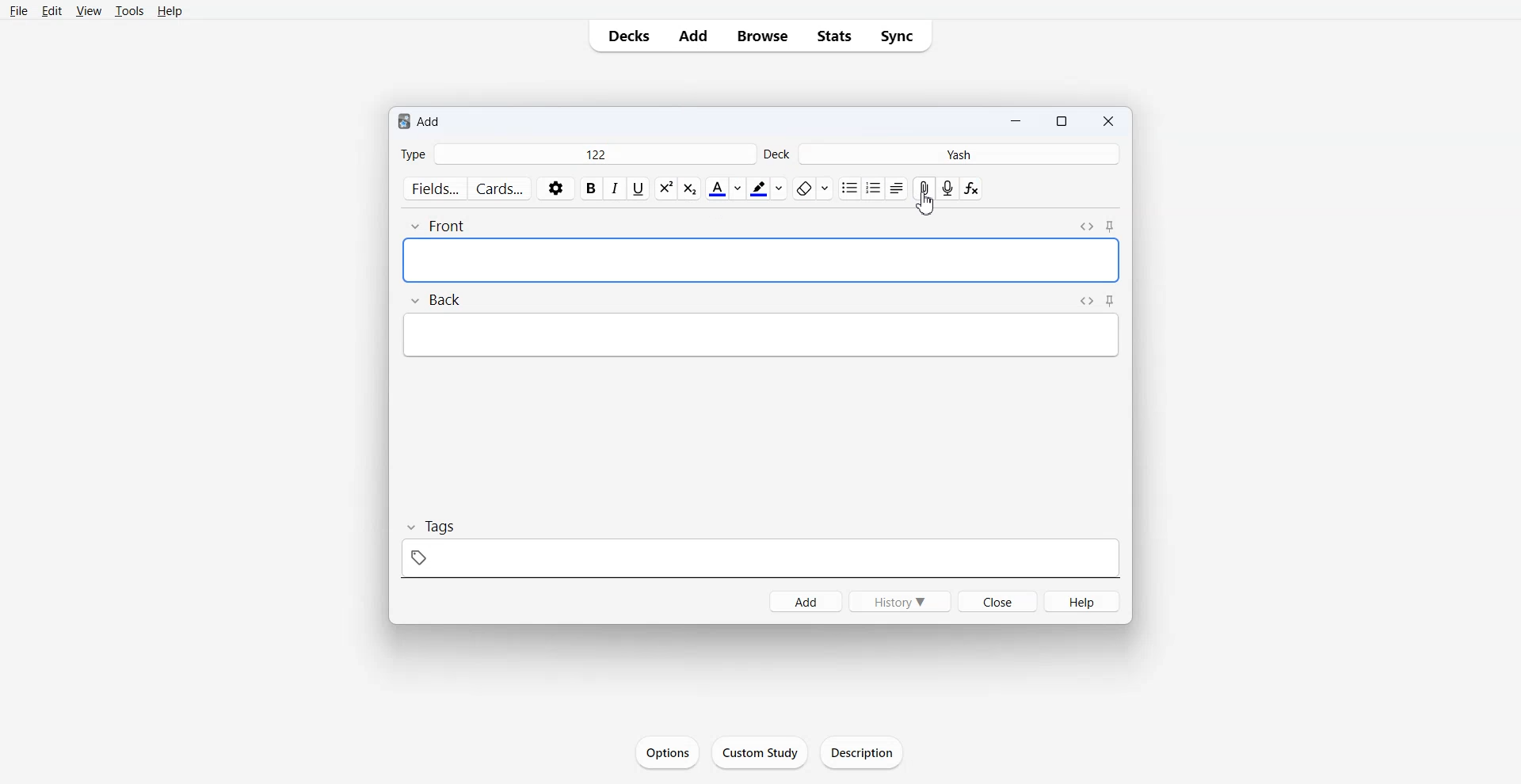  I want to click on Text color, so click(725, 188).